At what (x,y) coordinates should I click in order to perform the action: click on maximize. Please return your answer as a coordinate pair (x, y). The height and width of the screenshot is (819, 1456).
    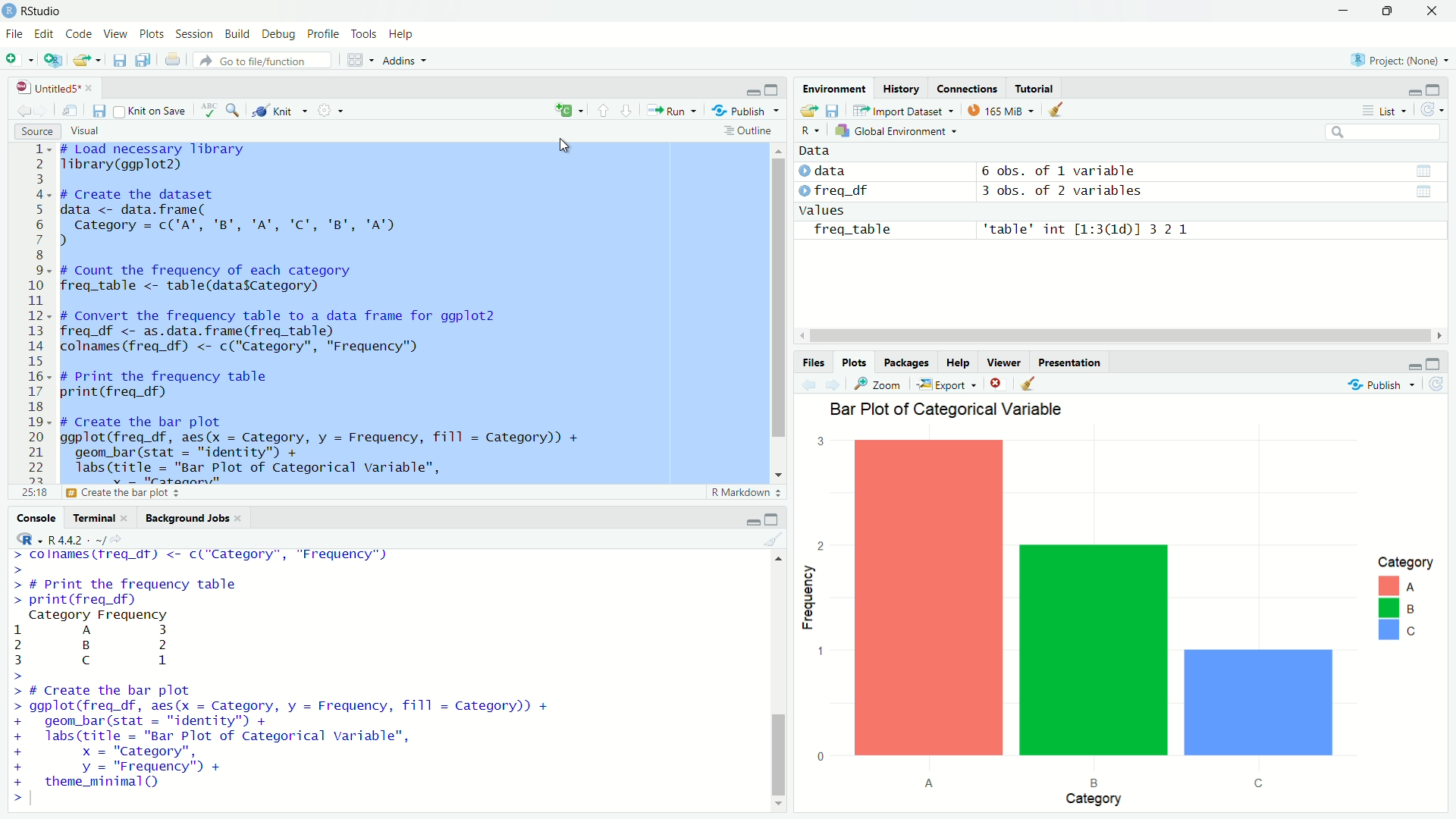
    Looking at the image, I should click on (1435, 365).